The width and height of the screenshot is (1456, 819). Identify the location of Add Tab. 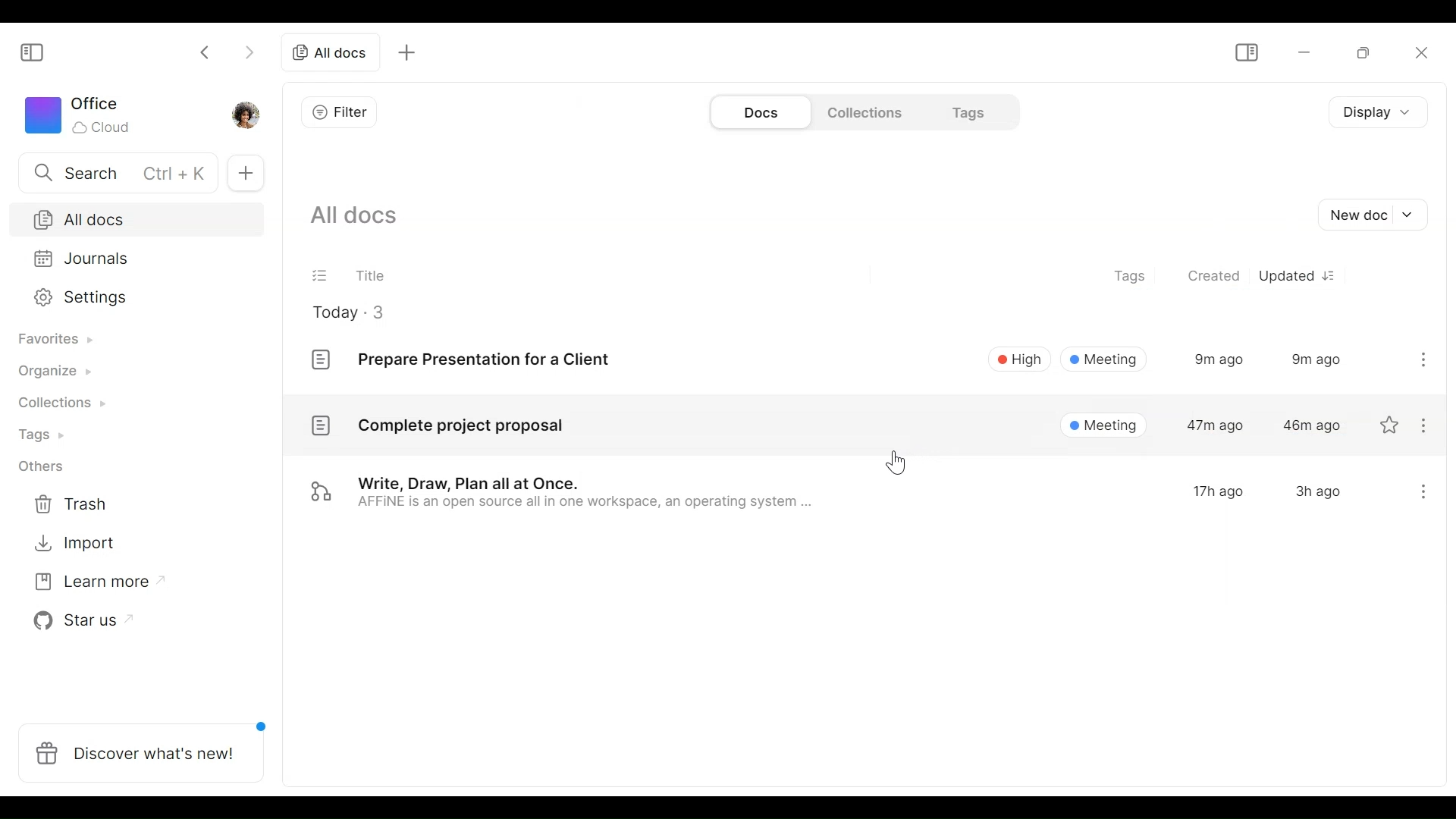
(246, 171).